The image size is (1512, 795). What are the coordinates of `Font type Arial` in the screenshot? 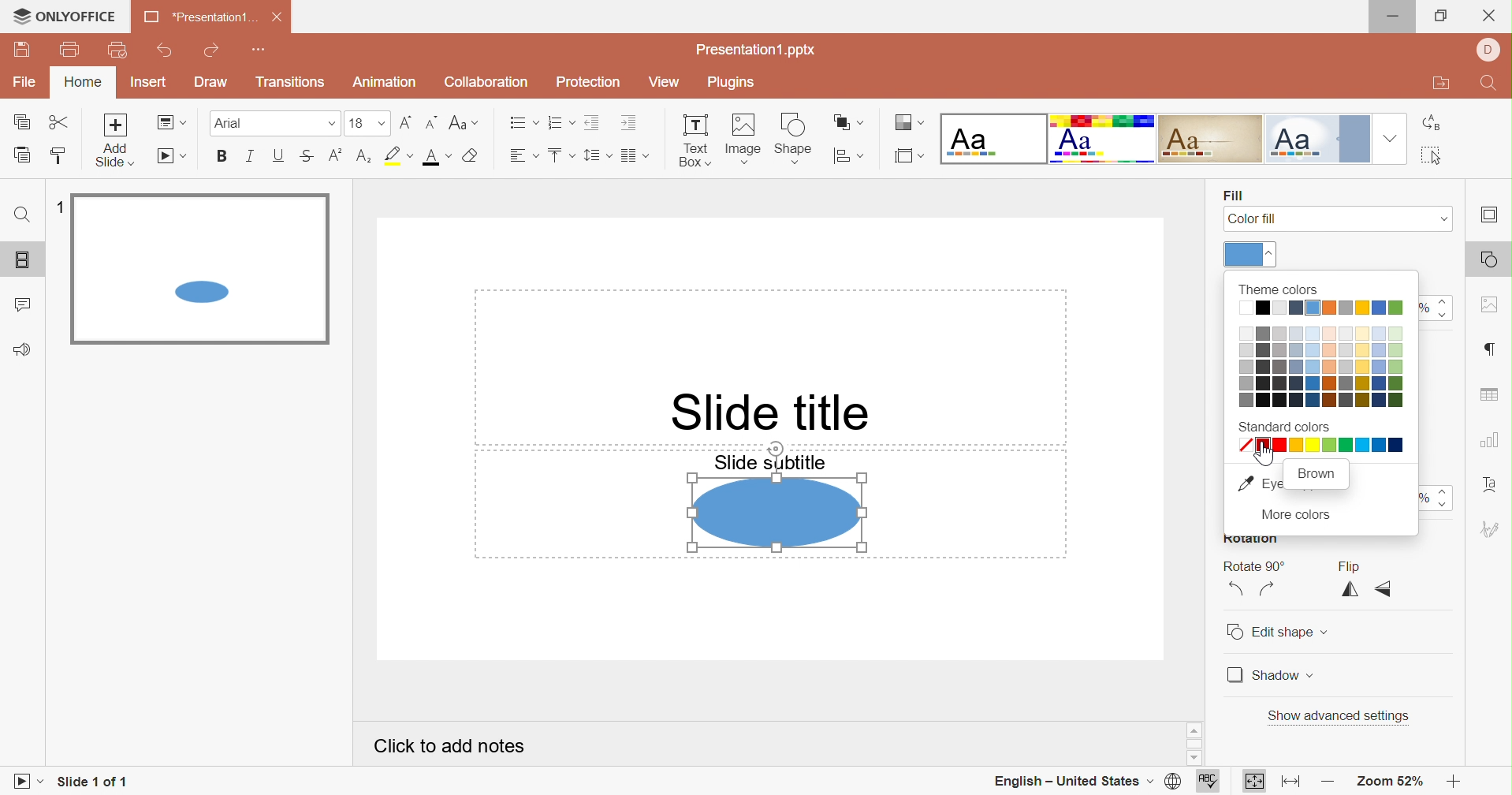 It's located at (274, 122).